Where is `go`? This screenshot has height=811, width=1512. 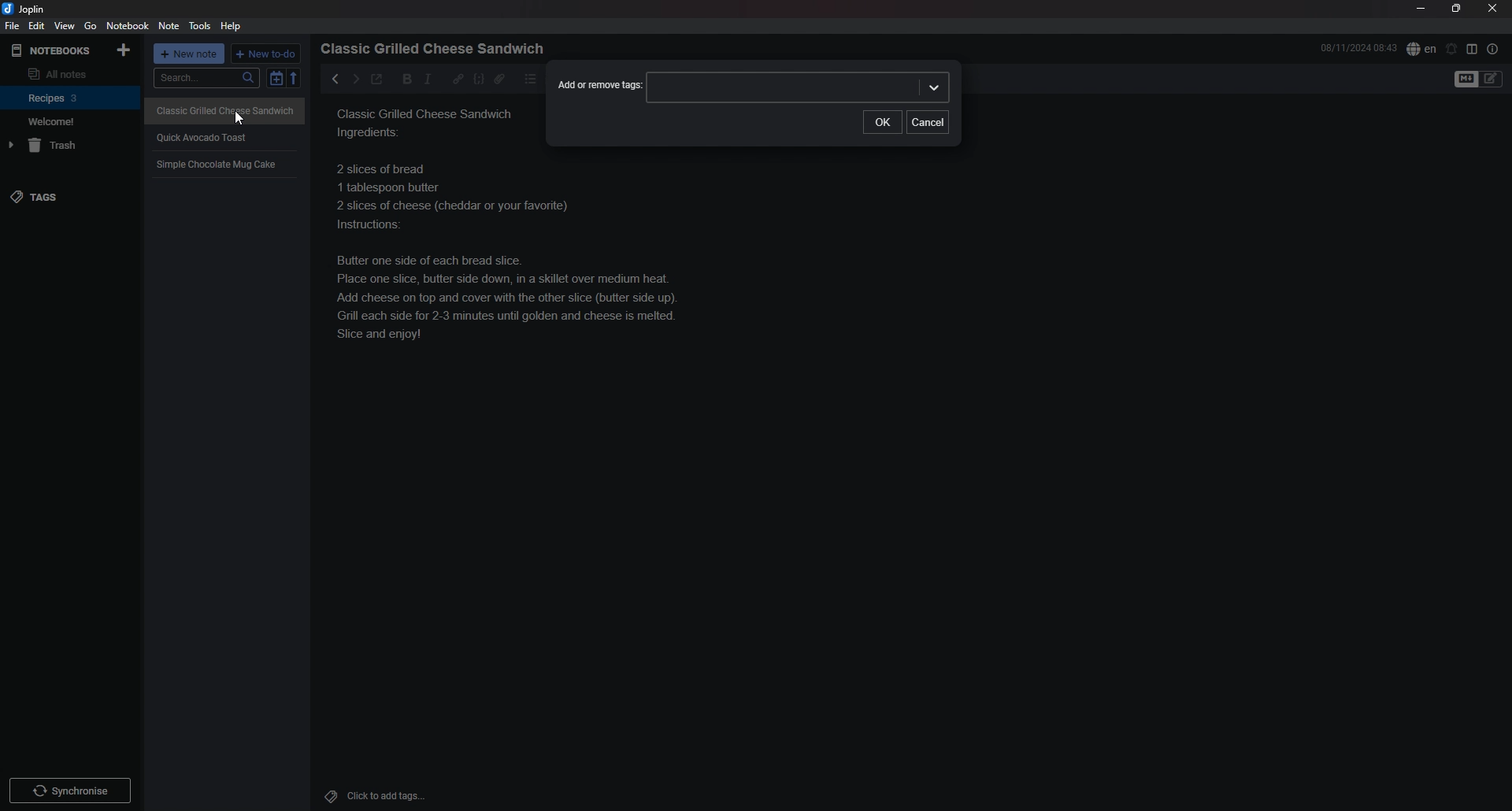 go is located at coordinates (91, 25).